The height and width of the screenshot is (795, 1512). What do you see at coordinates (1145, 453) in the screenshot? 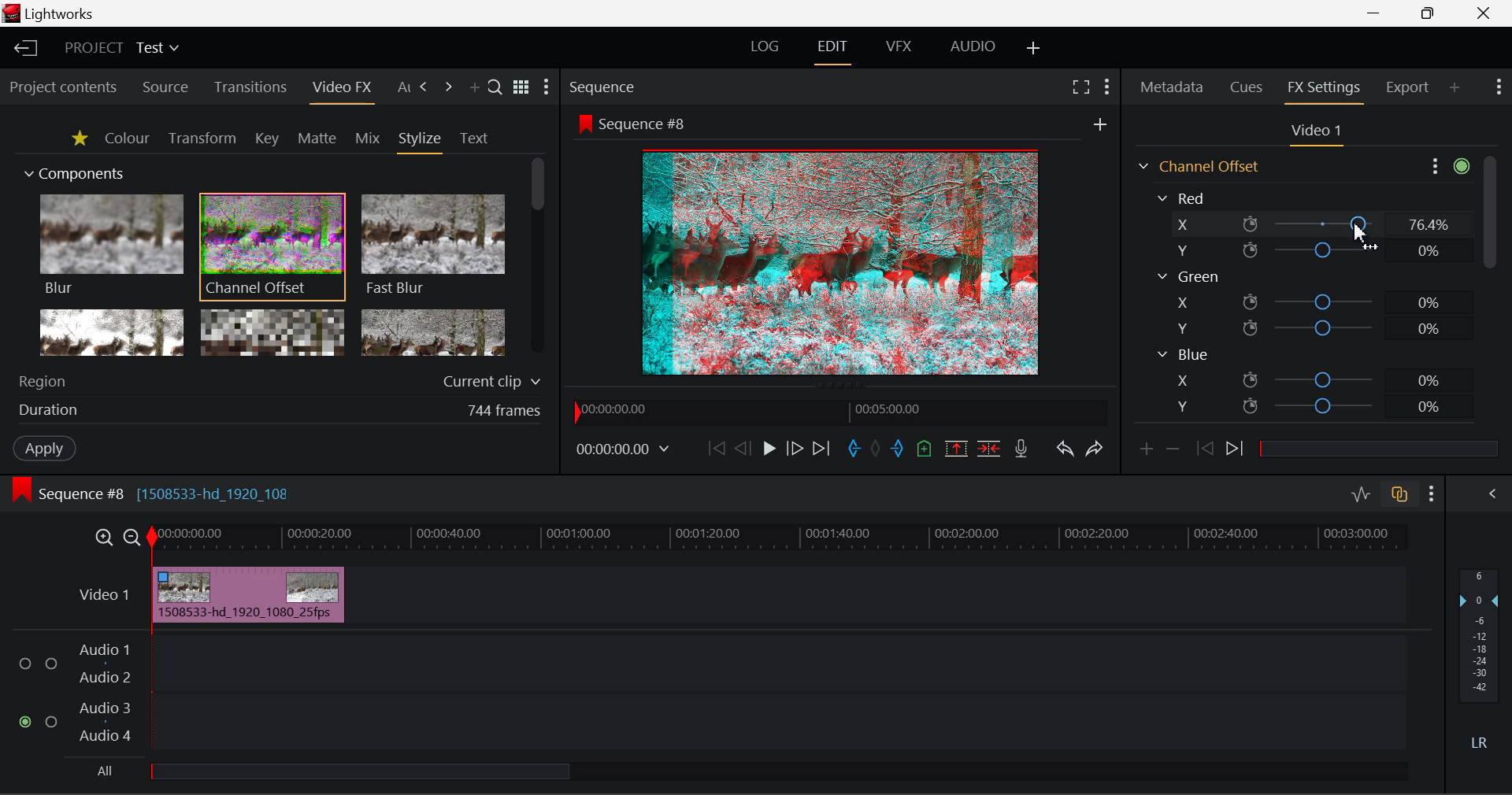
I see `Add keyframe` at bounding box center [1145, 453].